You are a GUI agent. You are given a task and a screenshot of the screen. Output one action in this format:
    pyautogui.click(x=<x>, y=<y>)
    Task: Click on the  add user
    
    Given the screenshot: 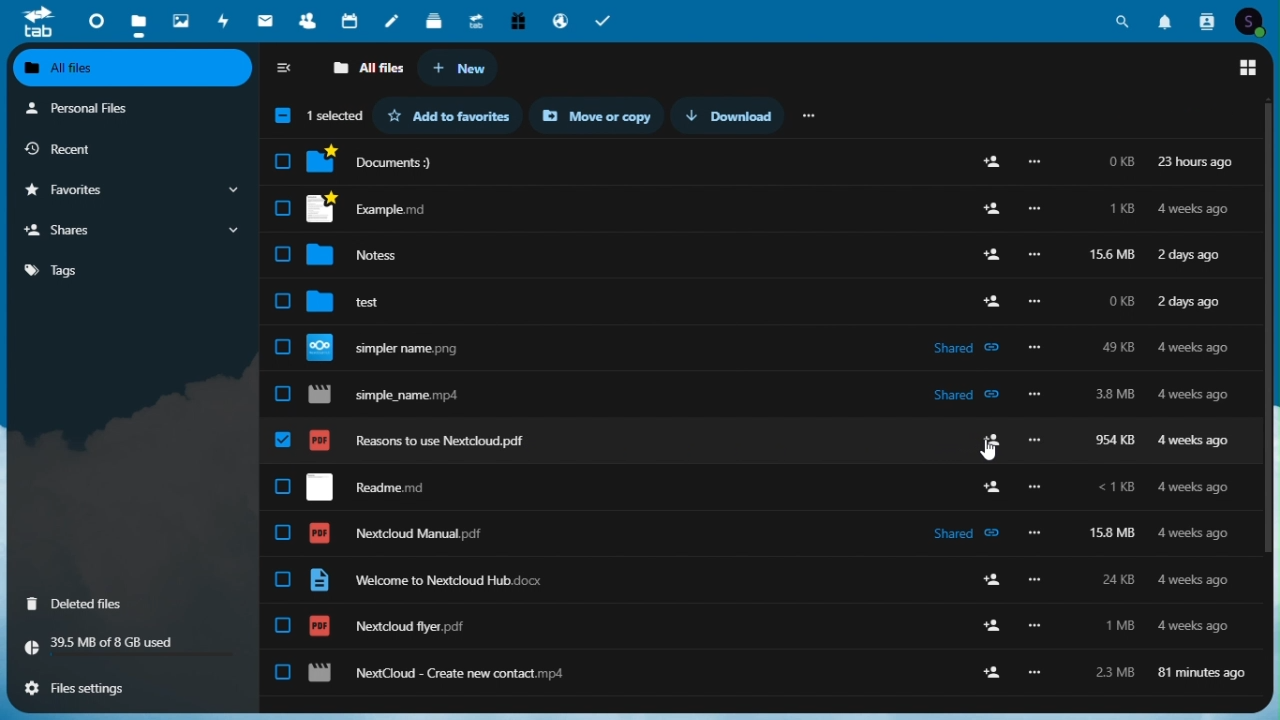 What is the action you would take?
    pyautogui.click(x=989, y=256)
    